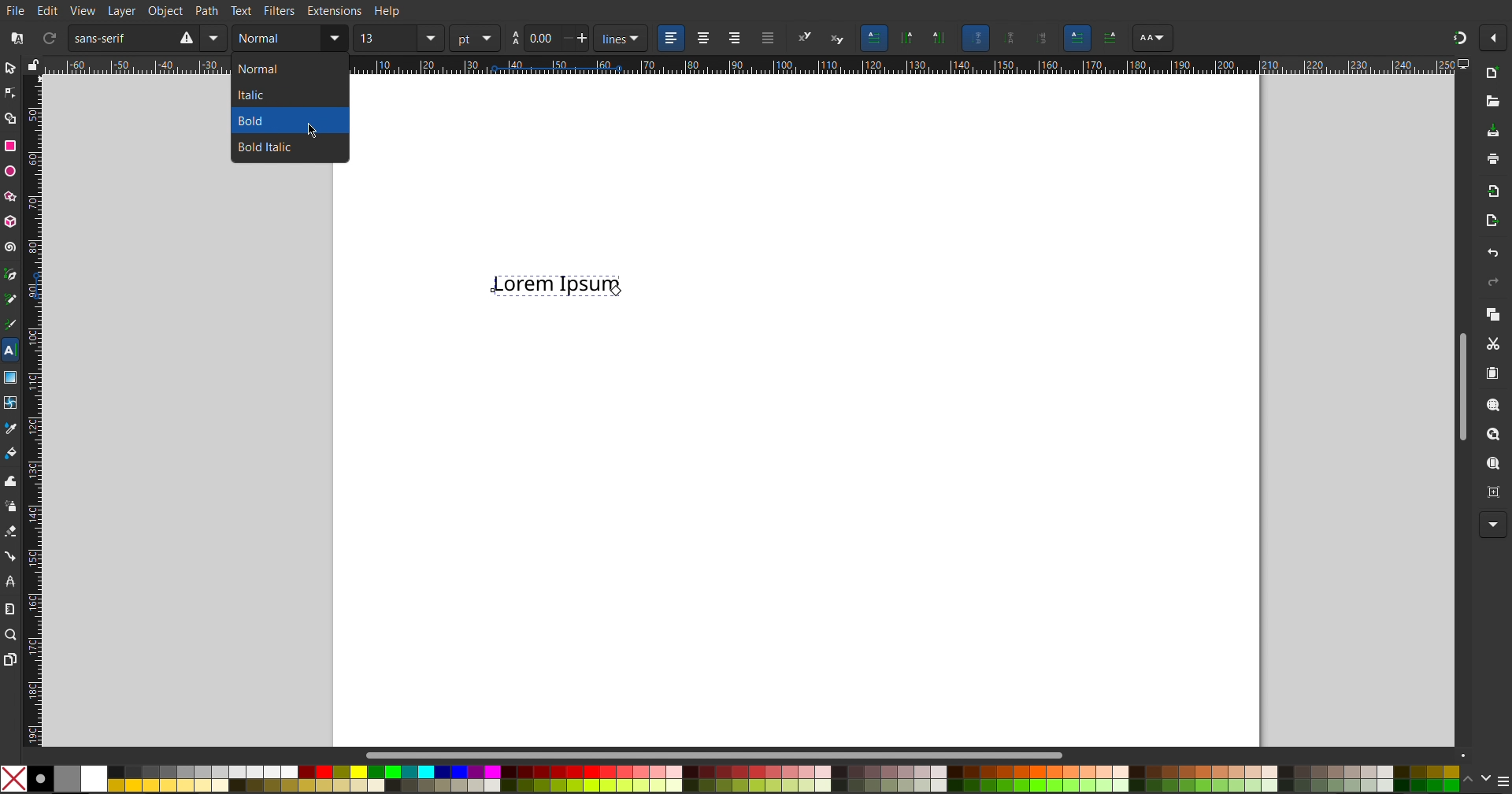 Image resolution: width=1512 pixels, height=794 pixels. Describe the element at coordinates (32, 408) in the screenshot. I see `Vertical Ruler` at that location.